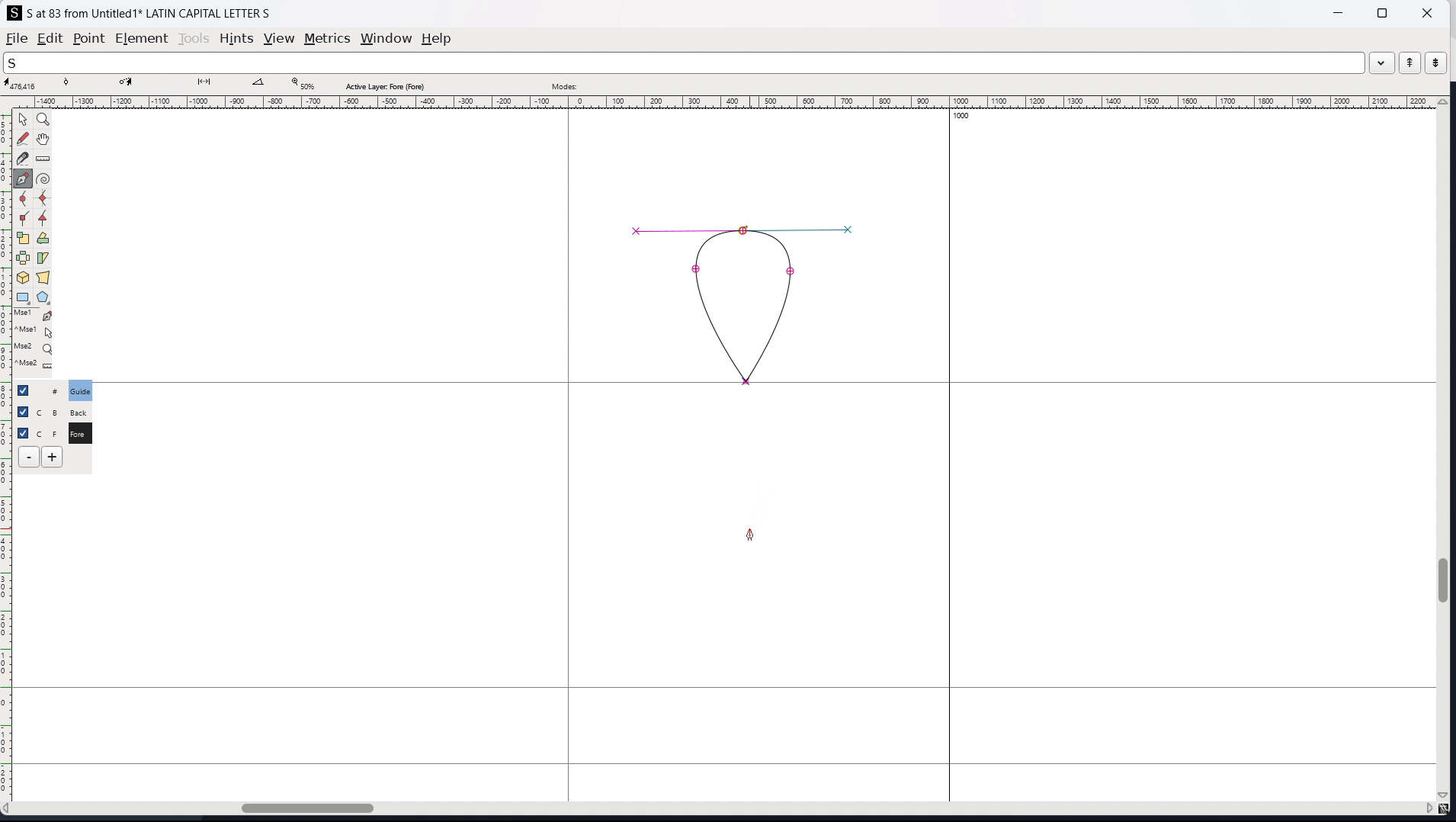 The width and height of the screenshot is (1456, 822). What do you see at coordinates (44, 120) in the screenshot?
I see `magnify` at bounding box center [44, 120].